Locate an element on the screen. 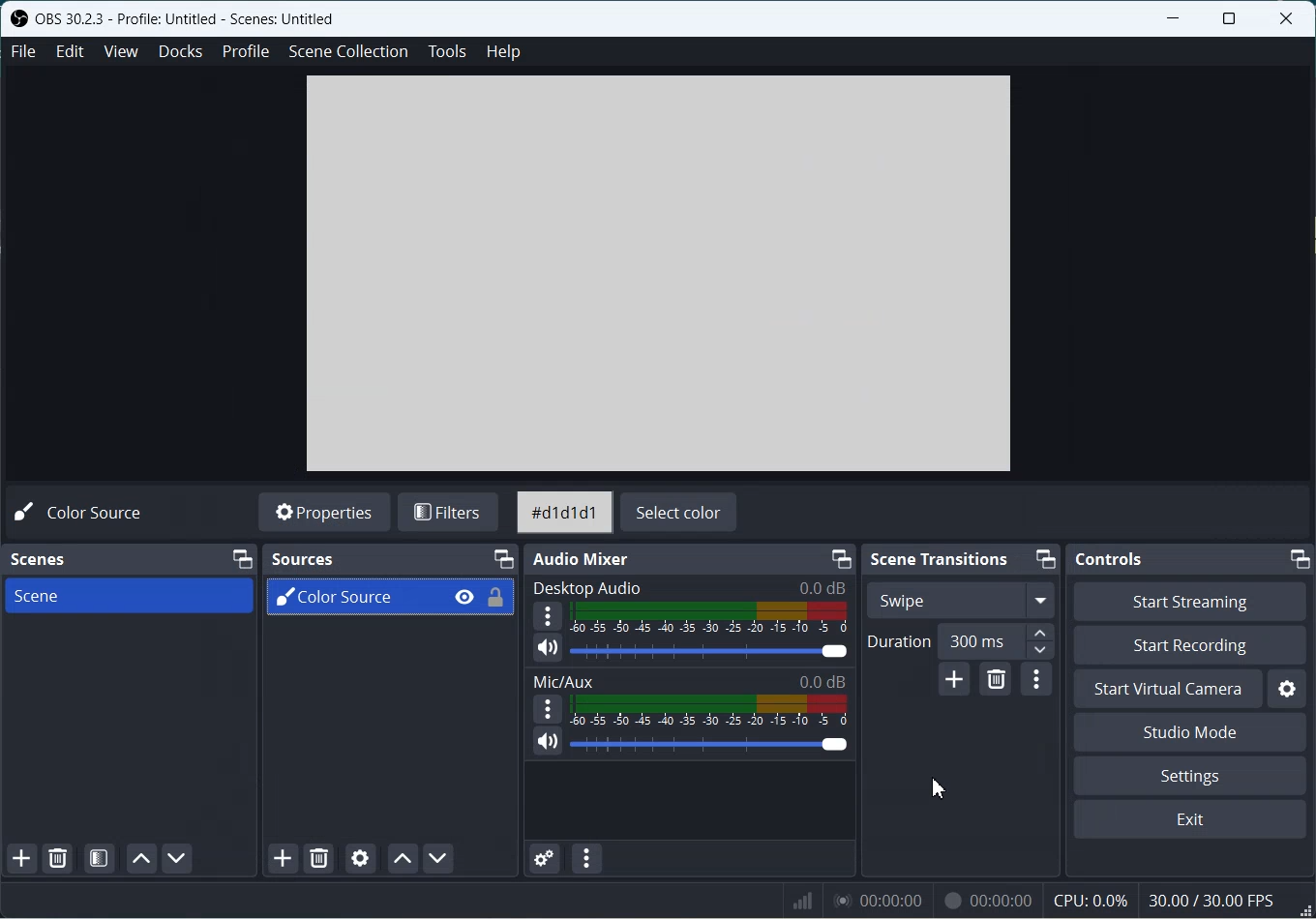  Color Source is located at coordinates (86, 513).